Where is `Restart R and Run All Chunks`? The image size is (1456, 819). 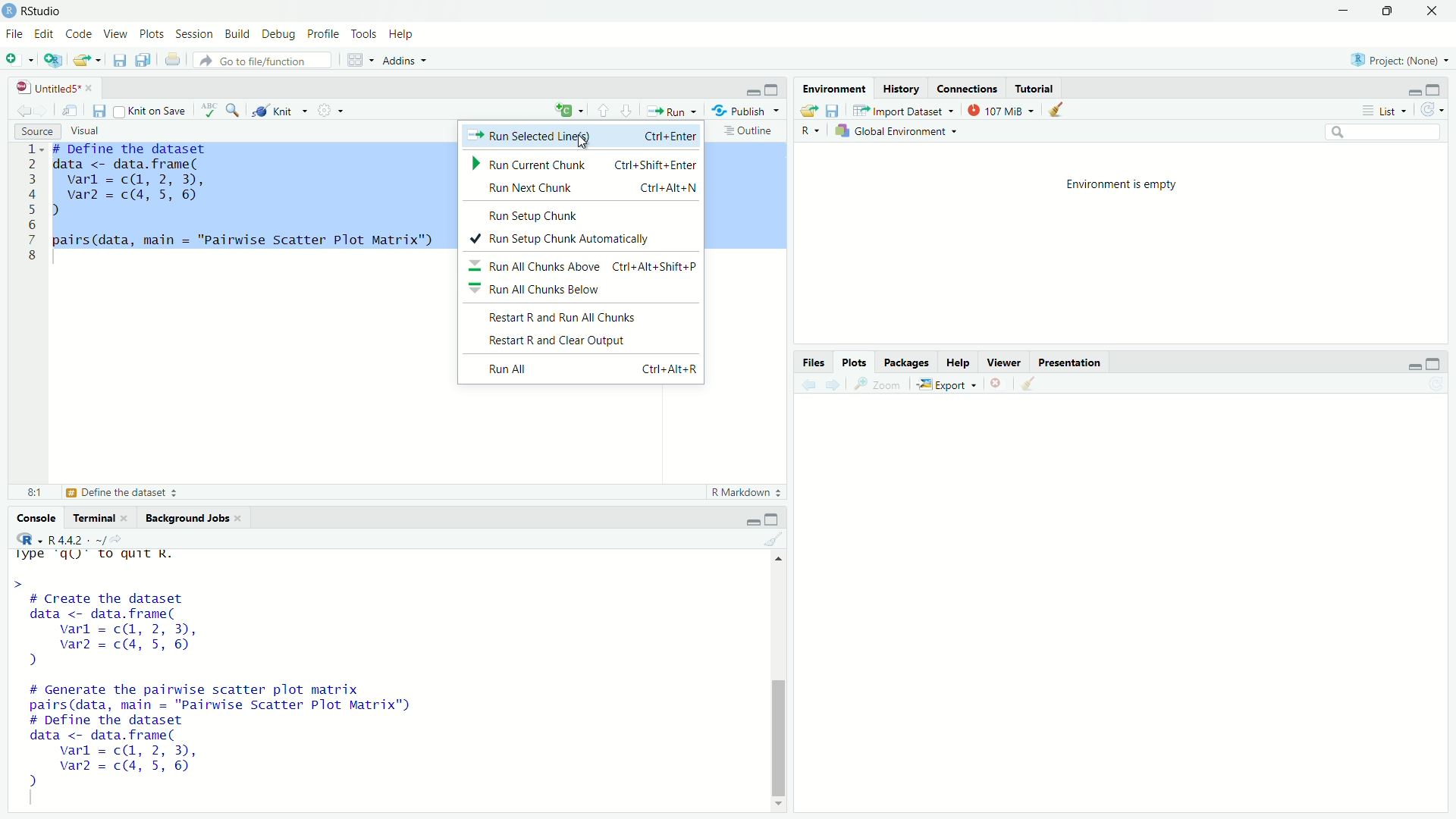 Restart R and Run All Chunks is located at coordinates (576, 315).